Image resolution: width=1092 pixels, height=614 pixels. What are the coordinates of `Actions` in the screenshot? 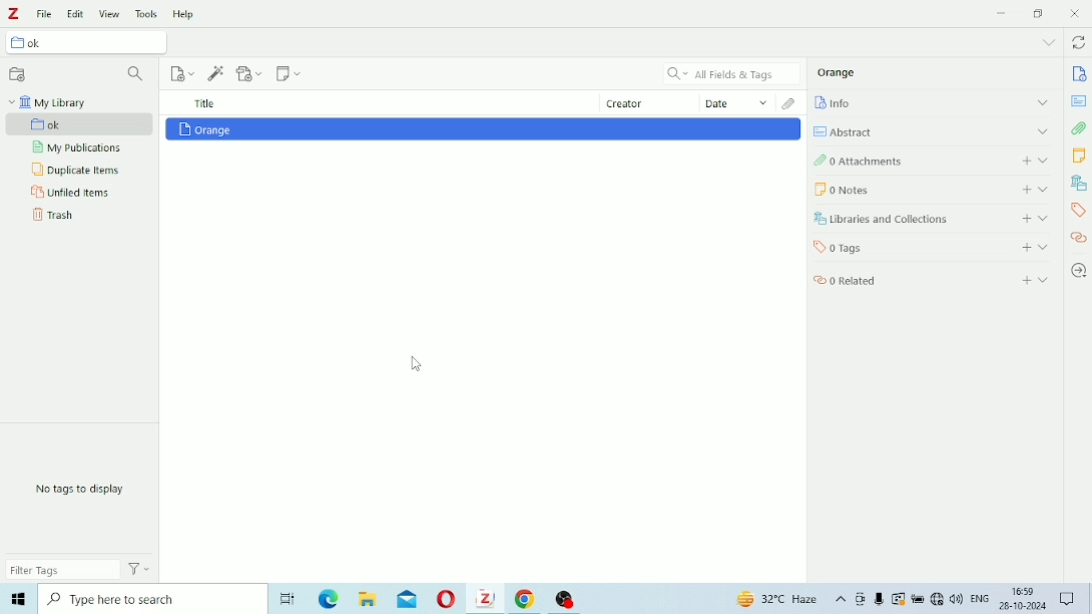 It's located at (140, 568).